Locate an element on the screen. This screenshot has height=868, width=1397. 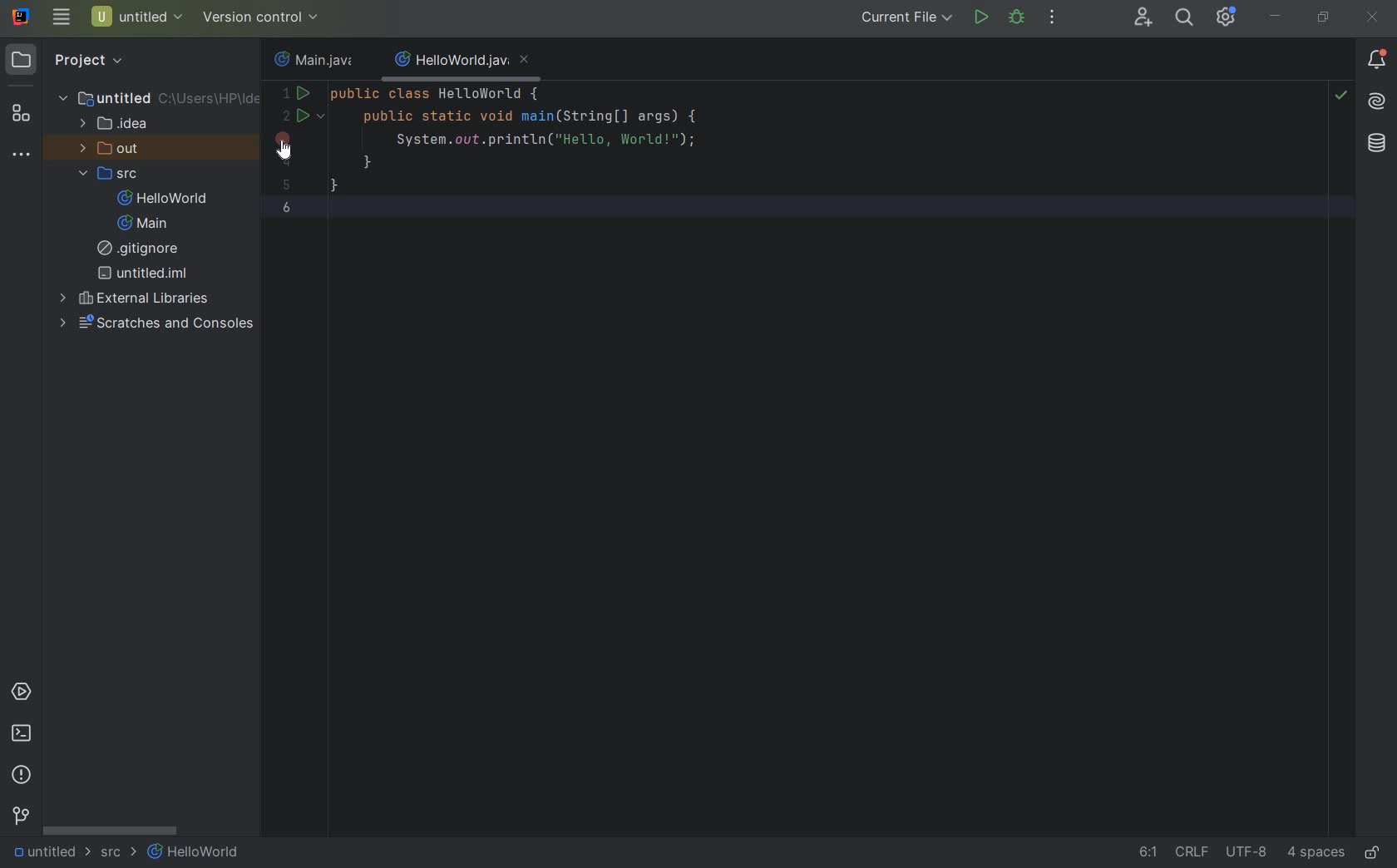
indent is located at coordinates (1316, 855).